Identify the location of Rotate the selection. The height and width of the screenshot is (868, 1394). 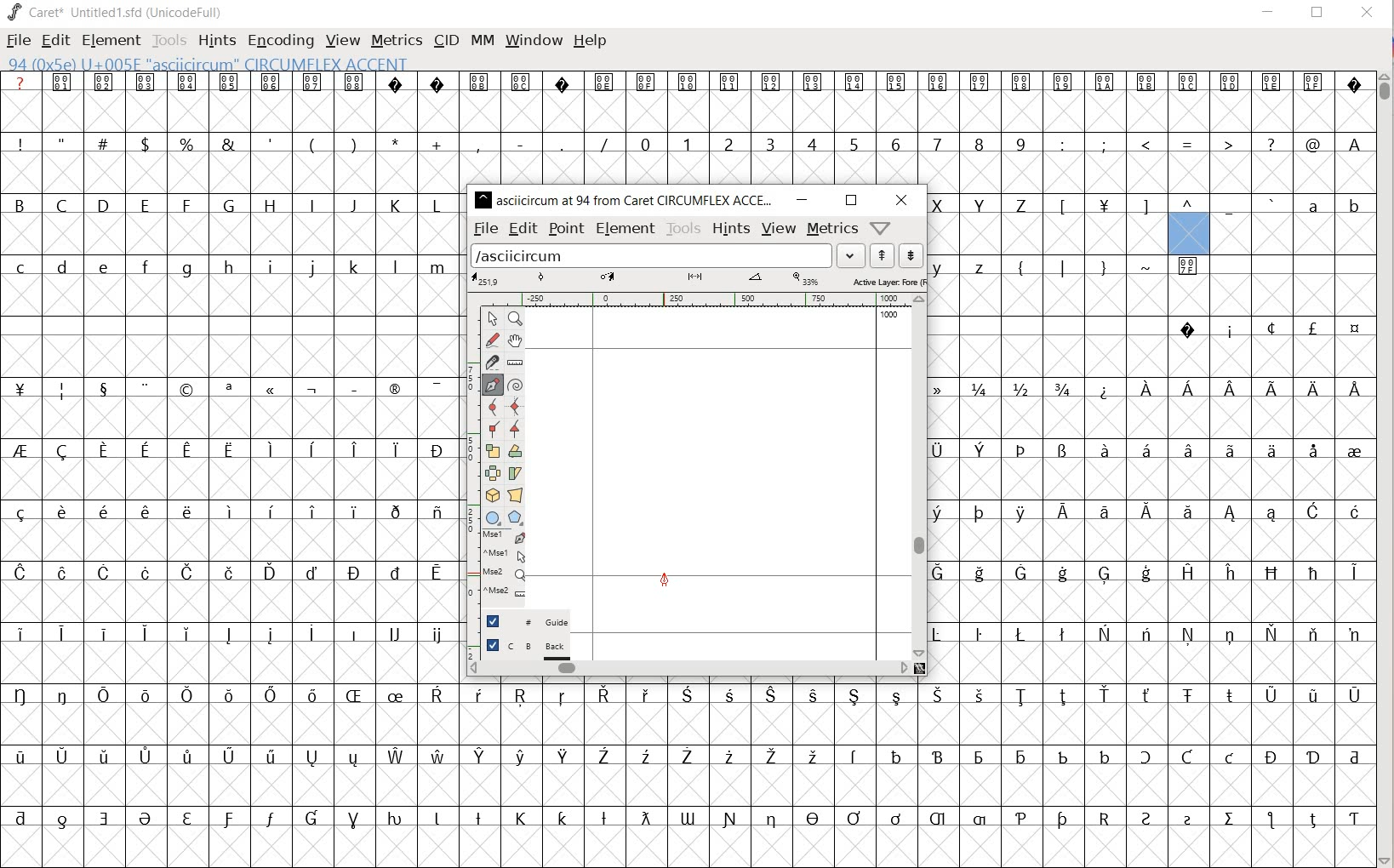
(514, 452).